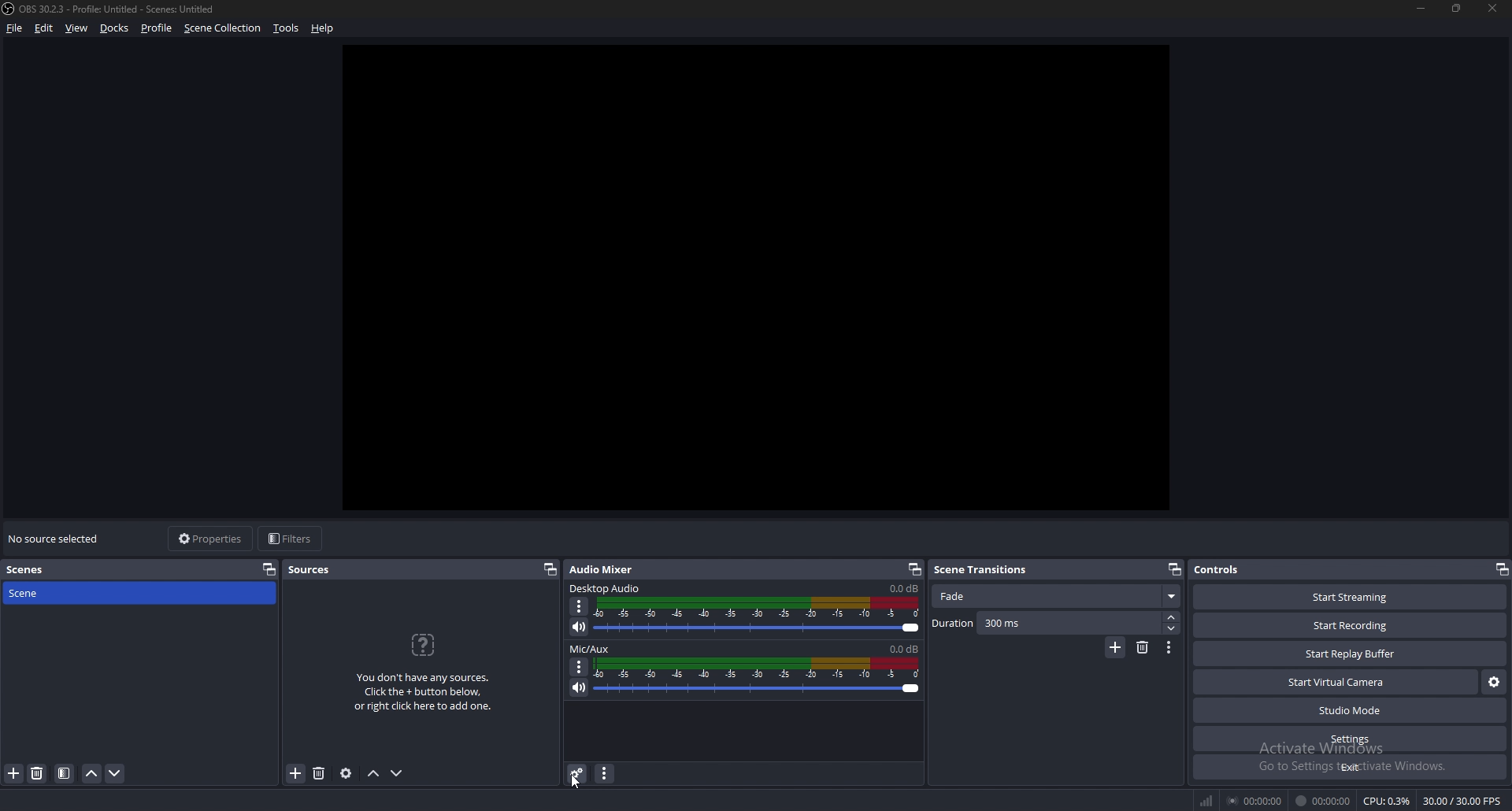  I want to click on filters, so click(292, 539).